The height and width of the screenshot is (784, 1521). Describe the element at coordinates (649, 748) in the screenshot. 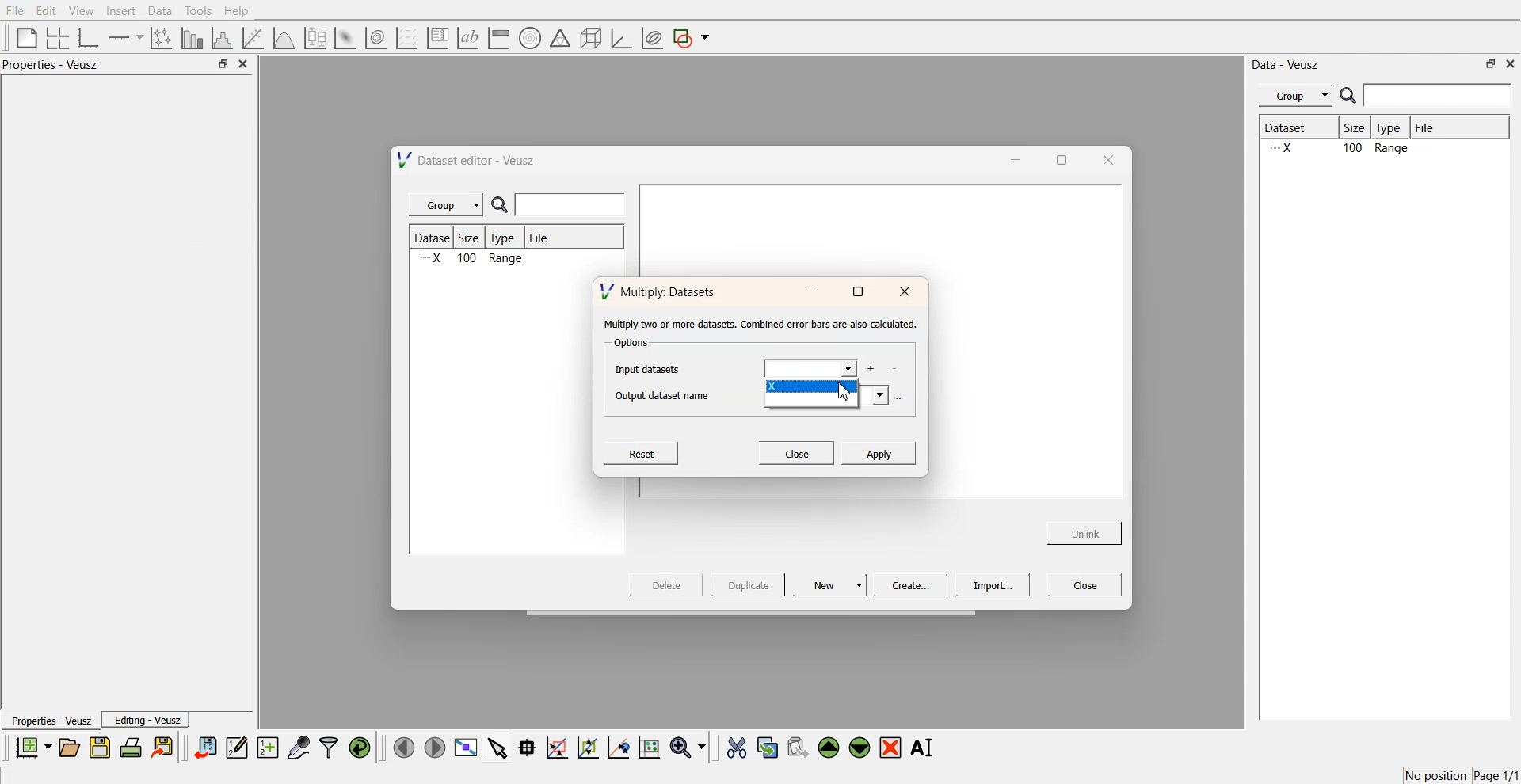

I see `reset the graph axes` at that location.